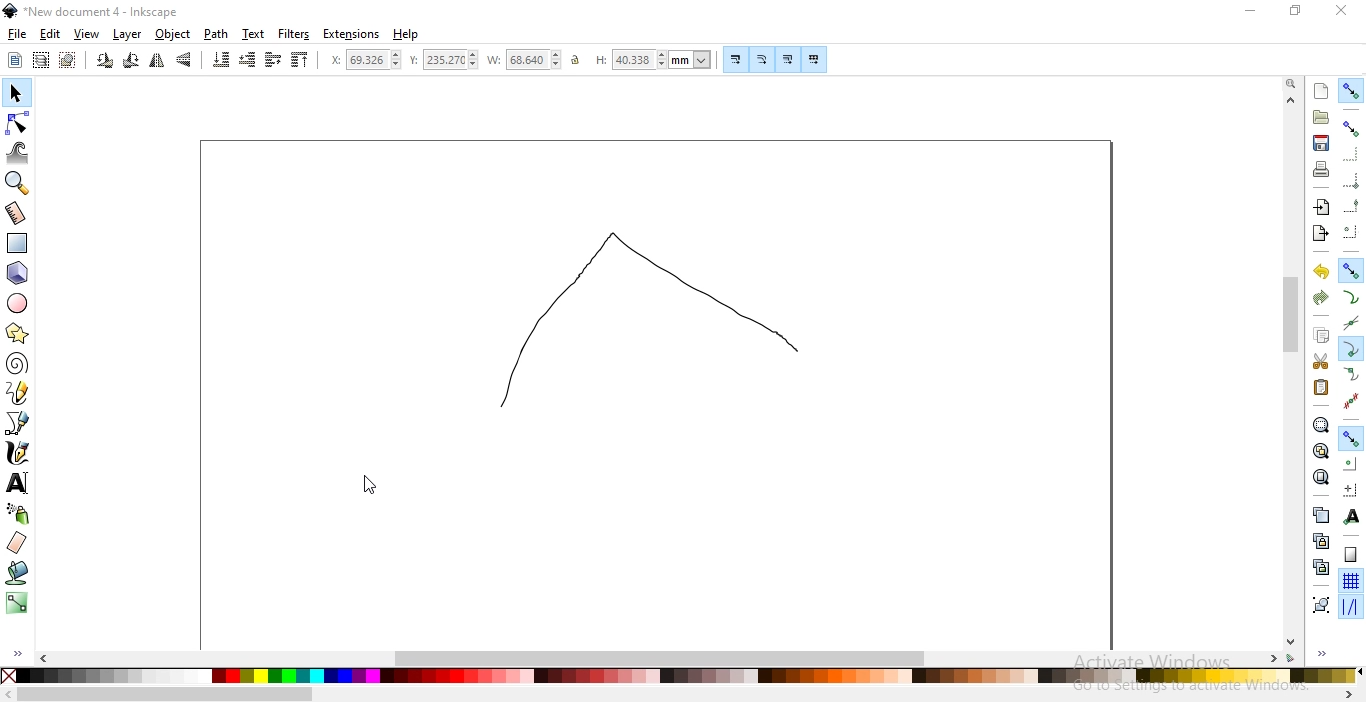  What do you see at coordinates (366, 487) in the screenshot?
I see `cursor` at bounding box center [366, 487].